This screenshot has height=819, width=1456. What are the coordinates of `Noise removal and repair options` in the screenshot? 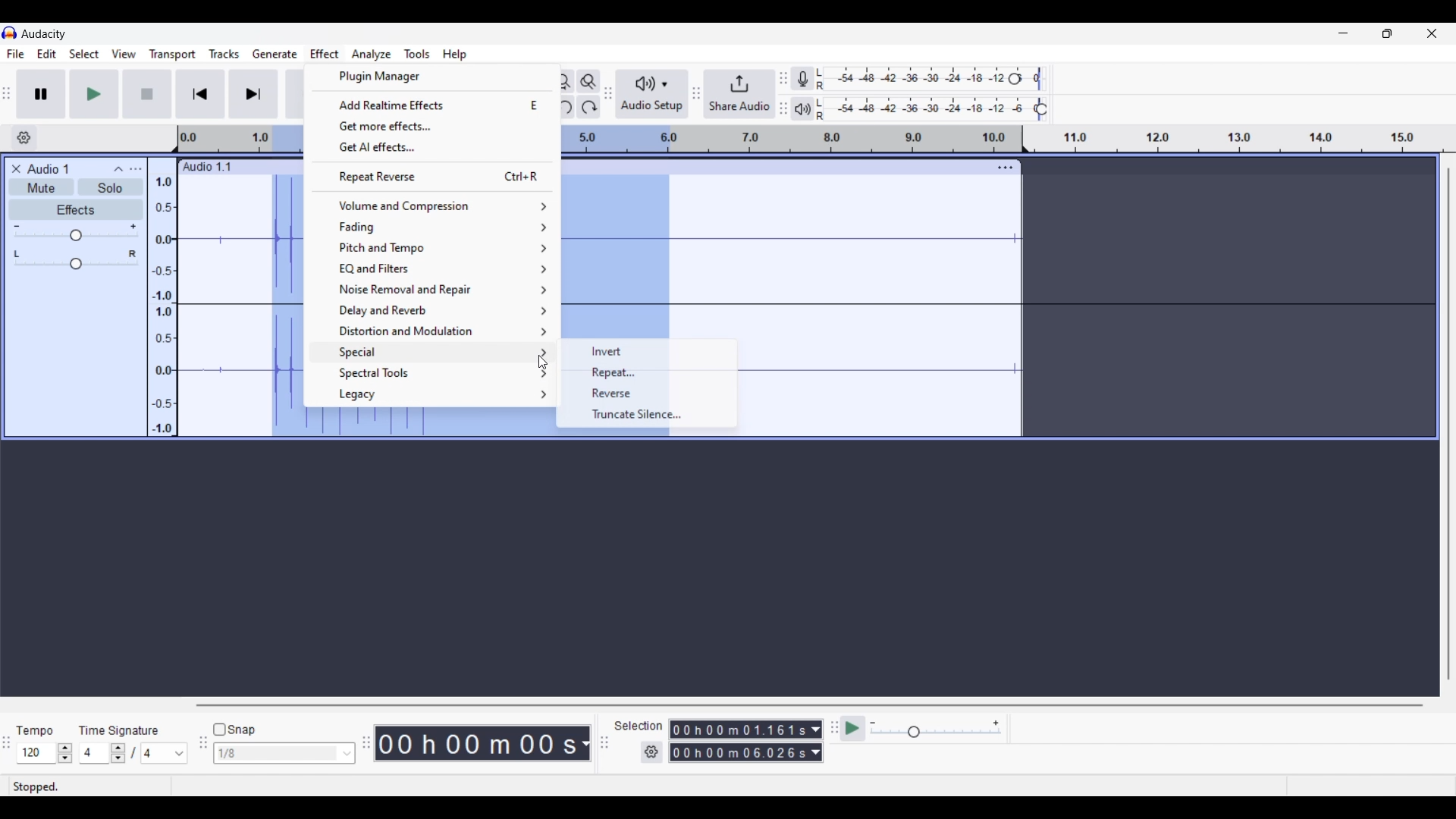 It's located at (432, 289).